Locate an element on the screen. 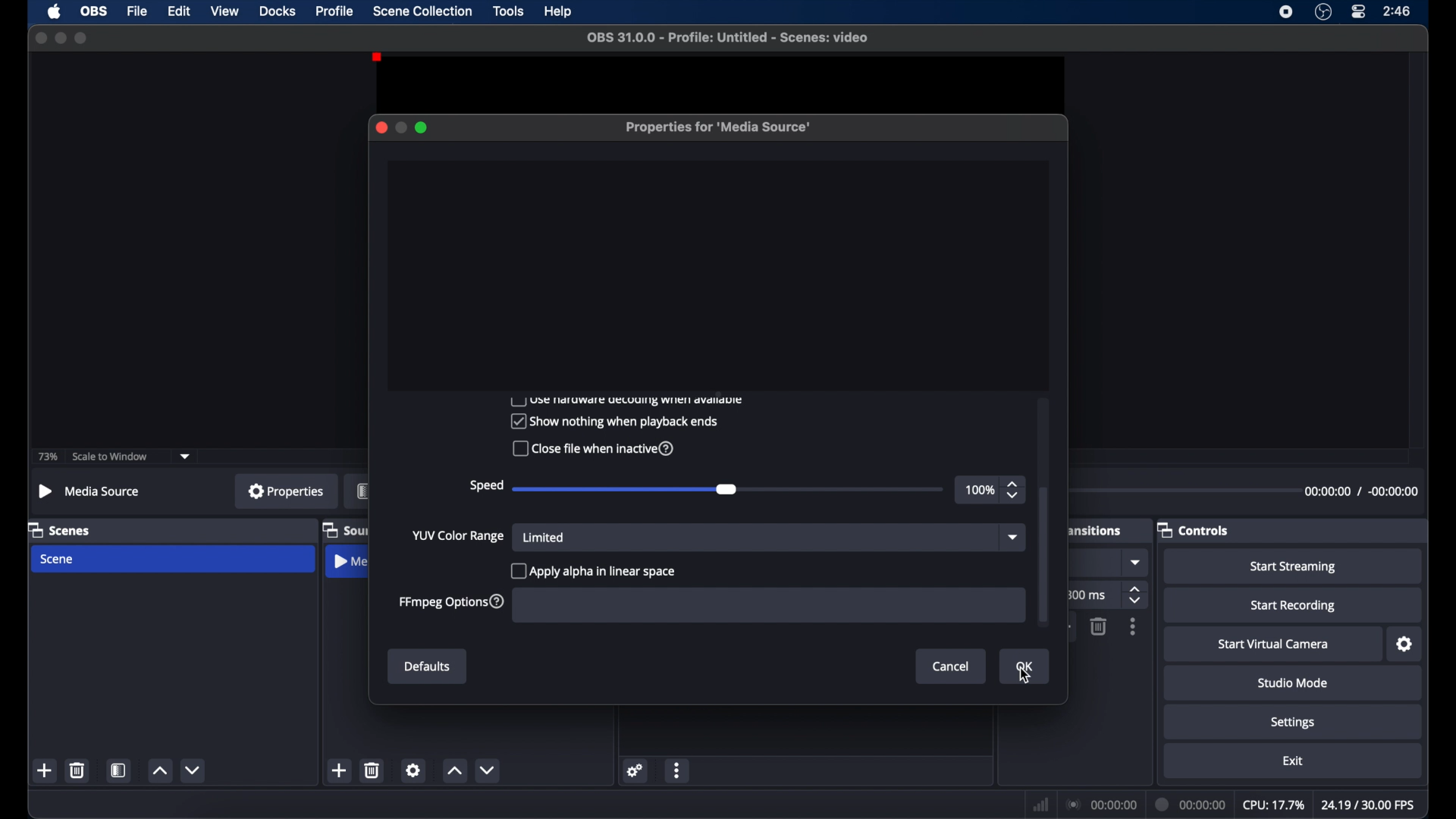  cpu is located at coordinates (1272, 804).